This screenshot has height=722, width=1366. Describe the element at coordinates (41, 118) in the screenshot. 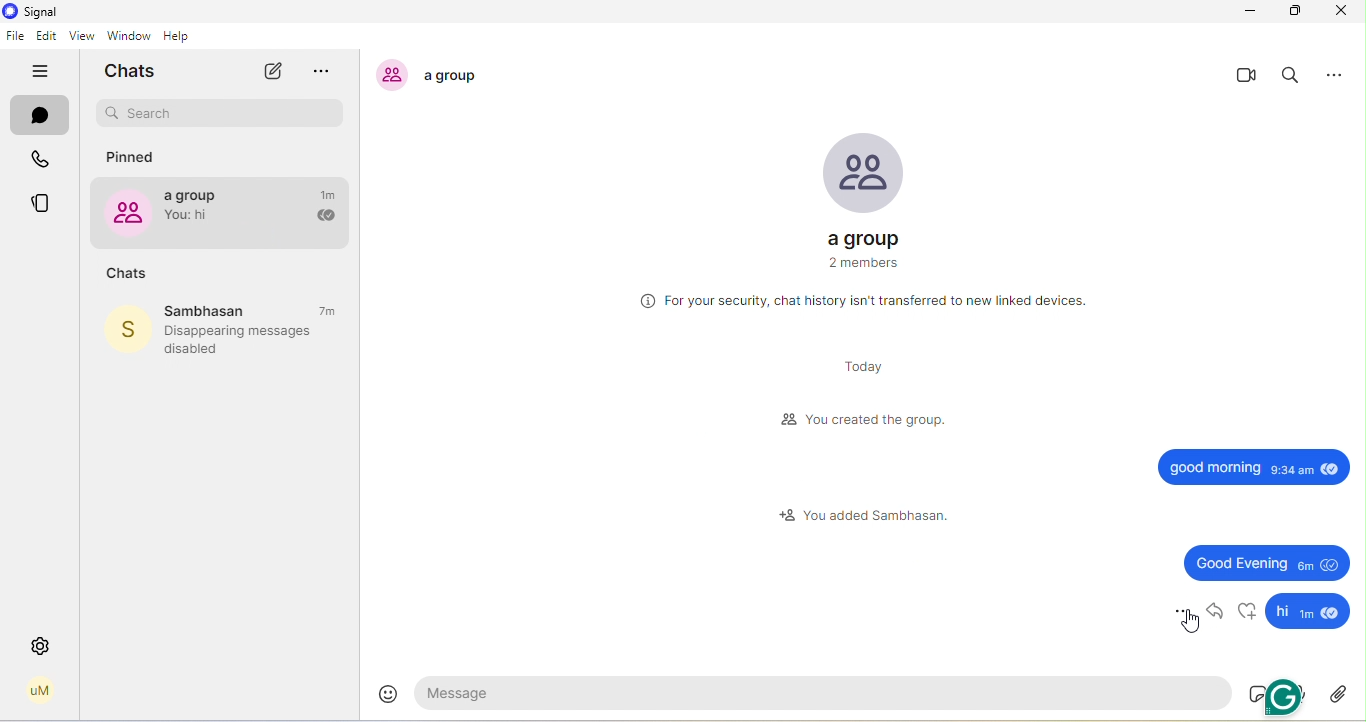

I see `chat` at that location.